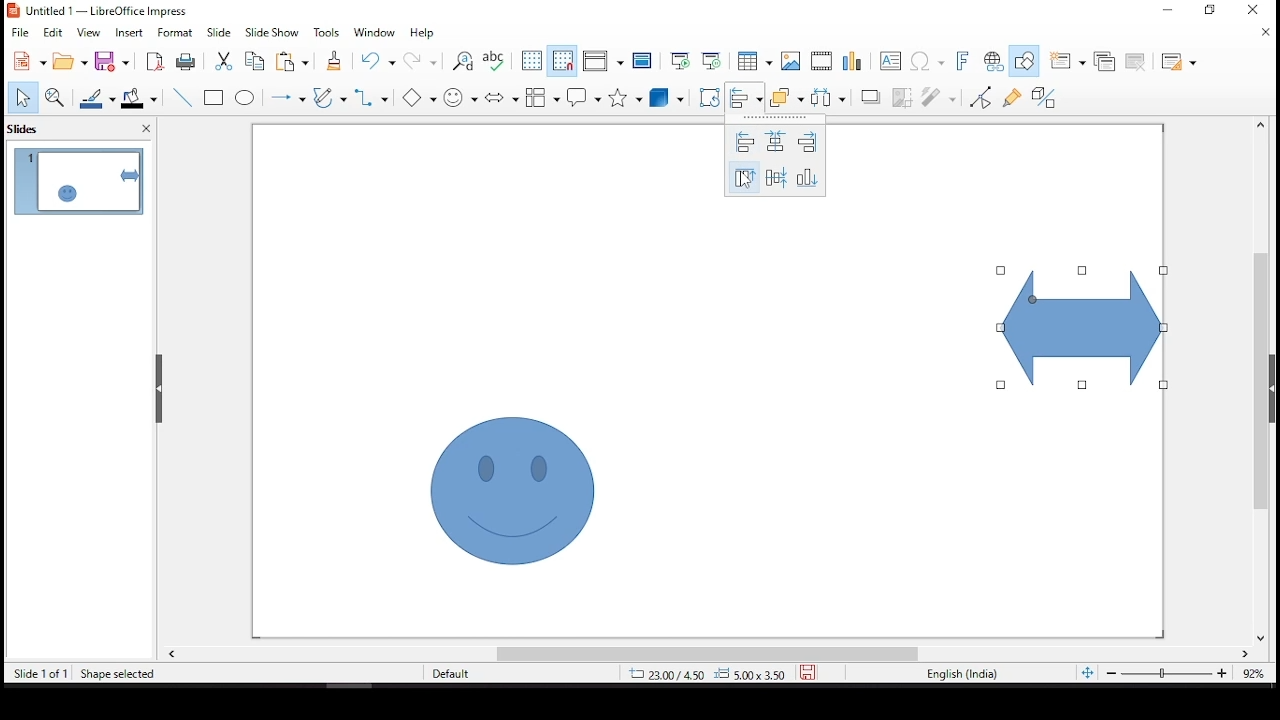  What do you see at coordinates (1011, 96) in the screenshot?
I see `show gluepoint functions` at bounding box center [1011, 96].